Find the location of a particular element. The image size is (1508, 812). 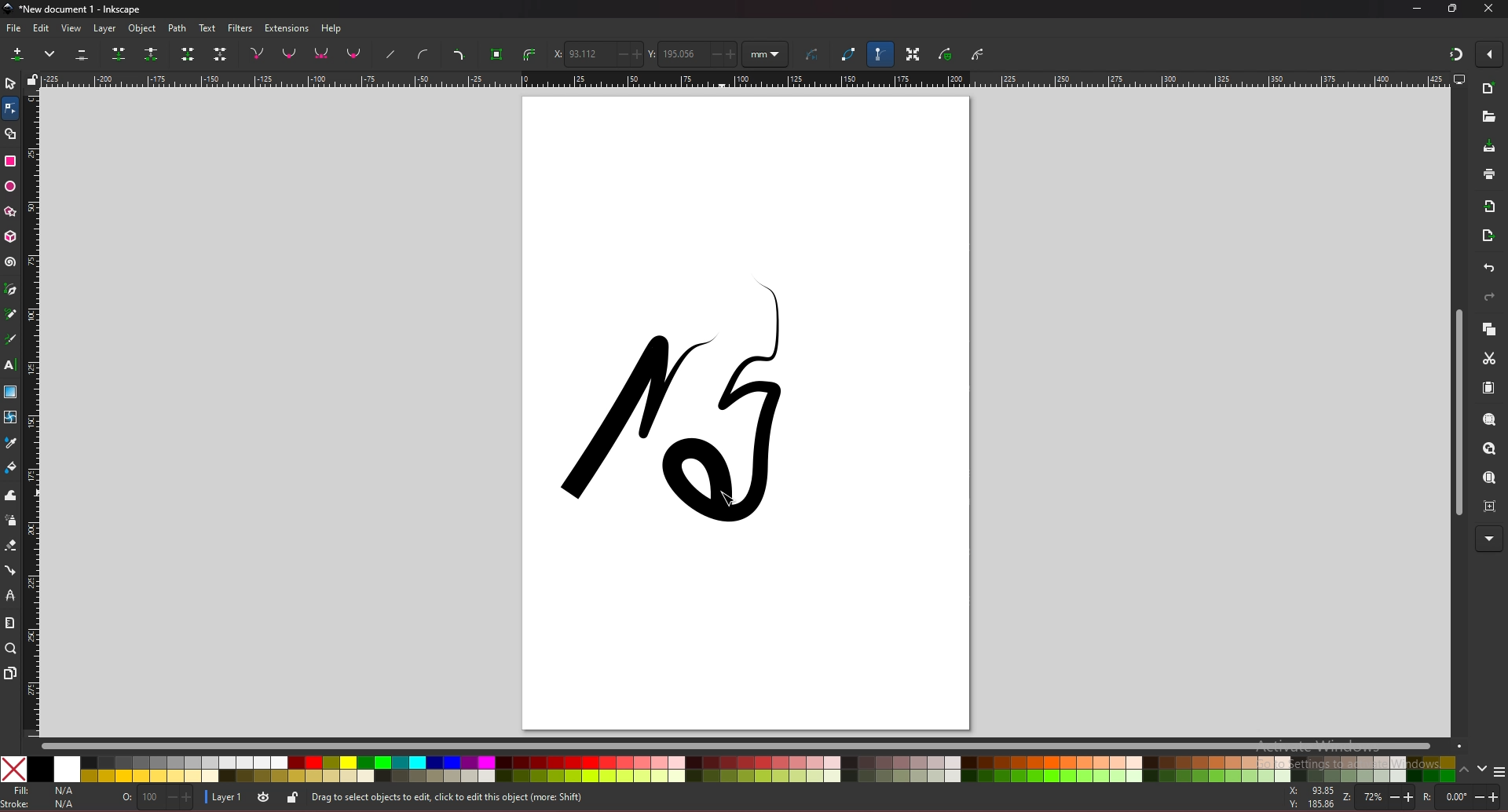

enable snapping is located at coordinates (1488, 54).